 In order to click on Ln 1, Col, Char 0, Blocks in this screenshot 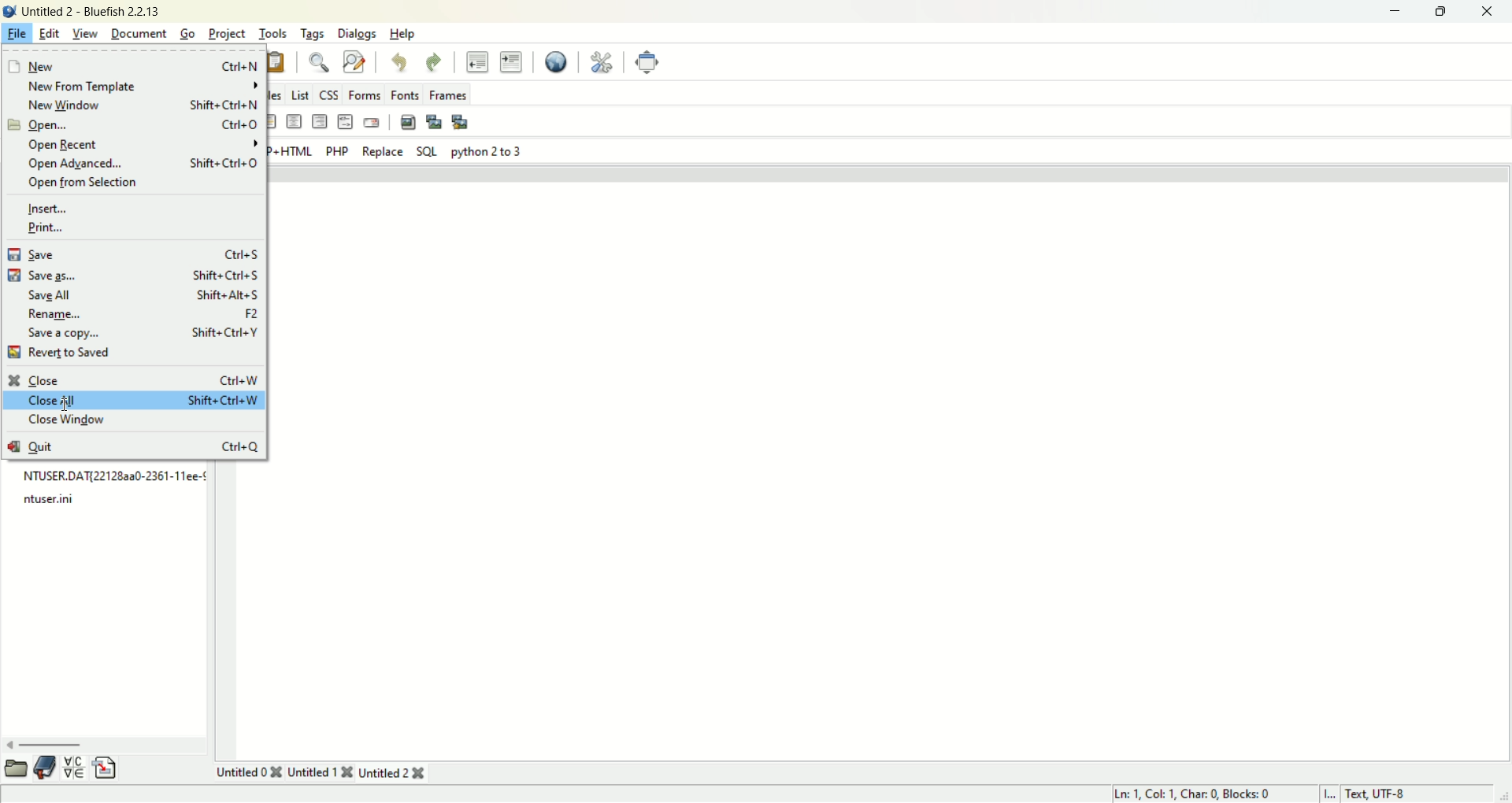, I will do `click(1196, 793)`.